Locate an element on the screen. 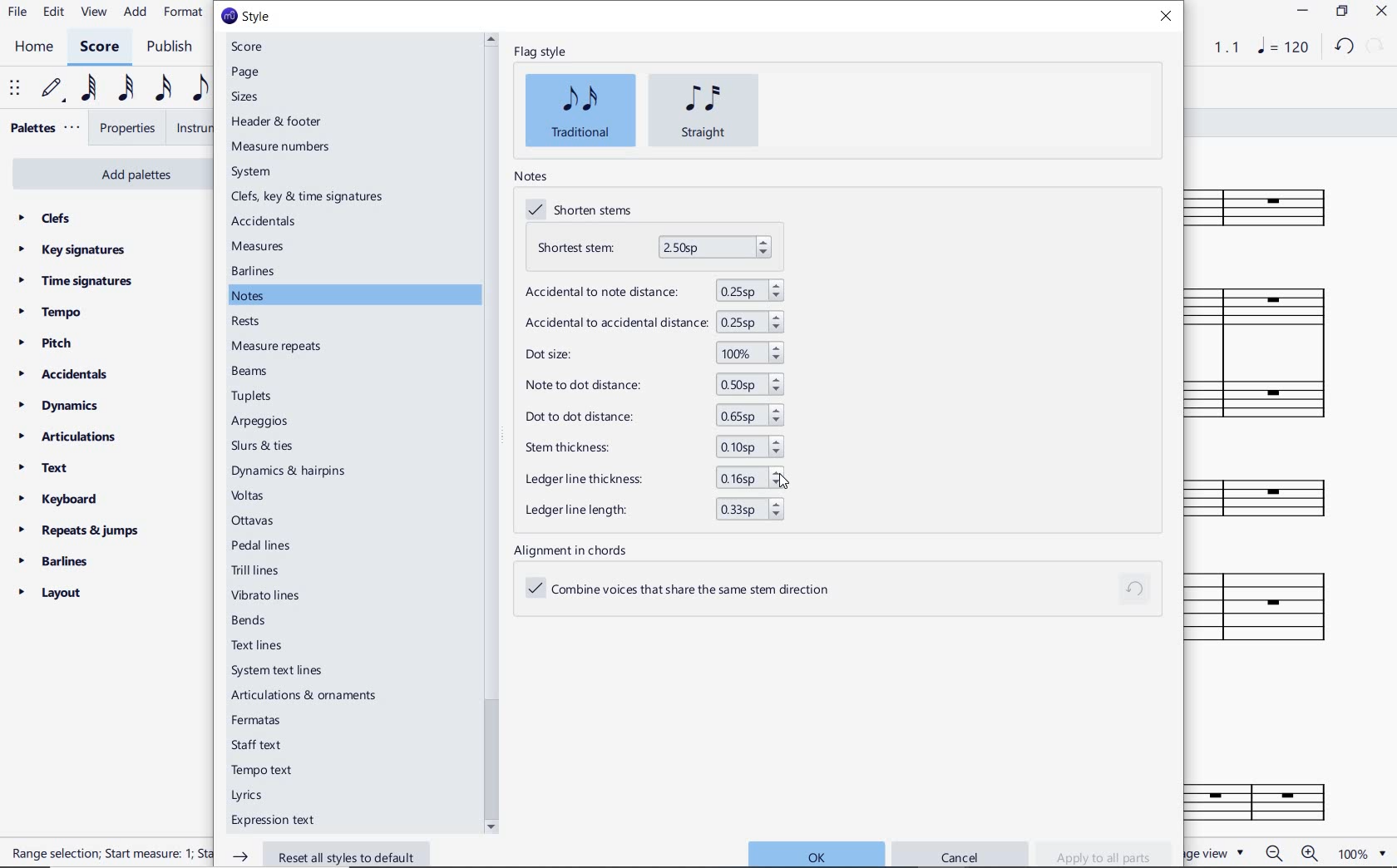 The width and height of the screenshot is (1397, 868). Instrument: Accordion is located at coordinates (1271, 353).